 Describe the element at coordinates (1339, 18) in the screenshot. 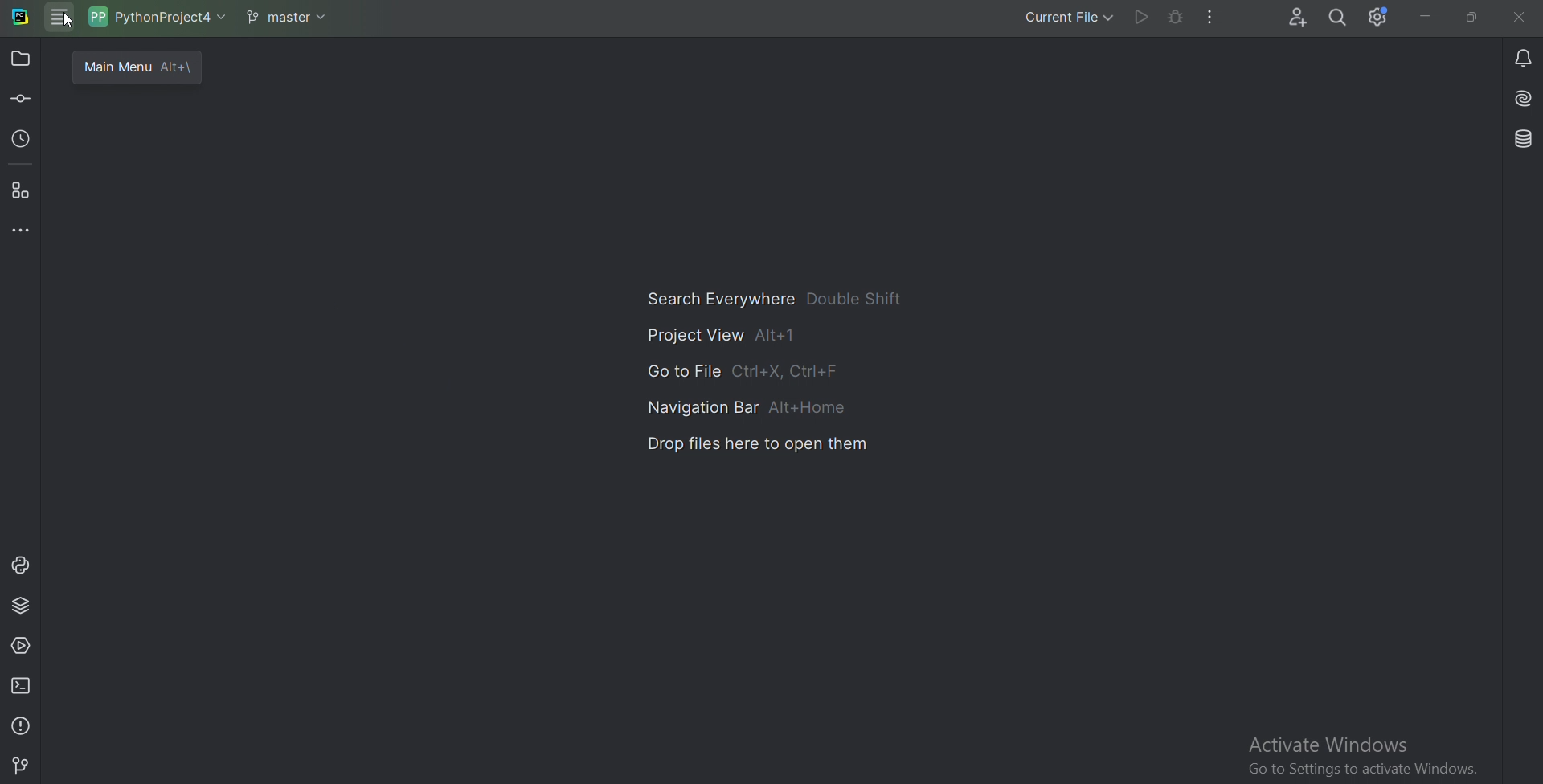

I see `Search everywhere` at that location.